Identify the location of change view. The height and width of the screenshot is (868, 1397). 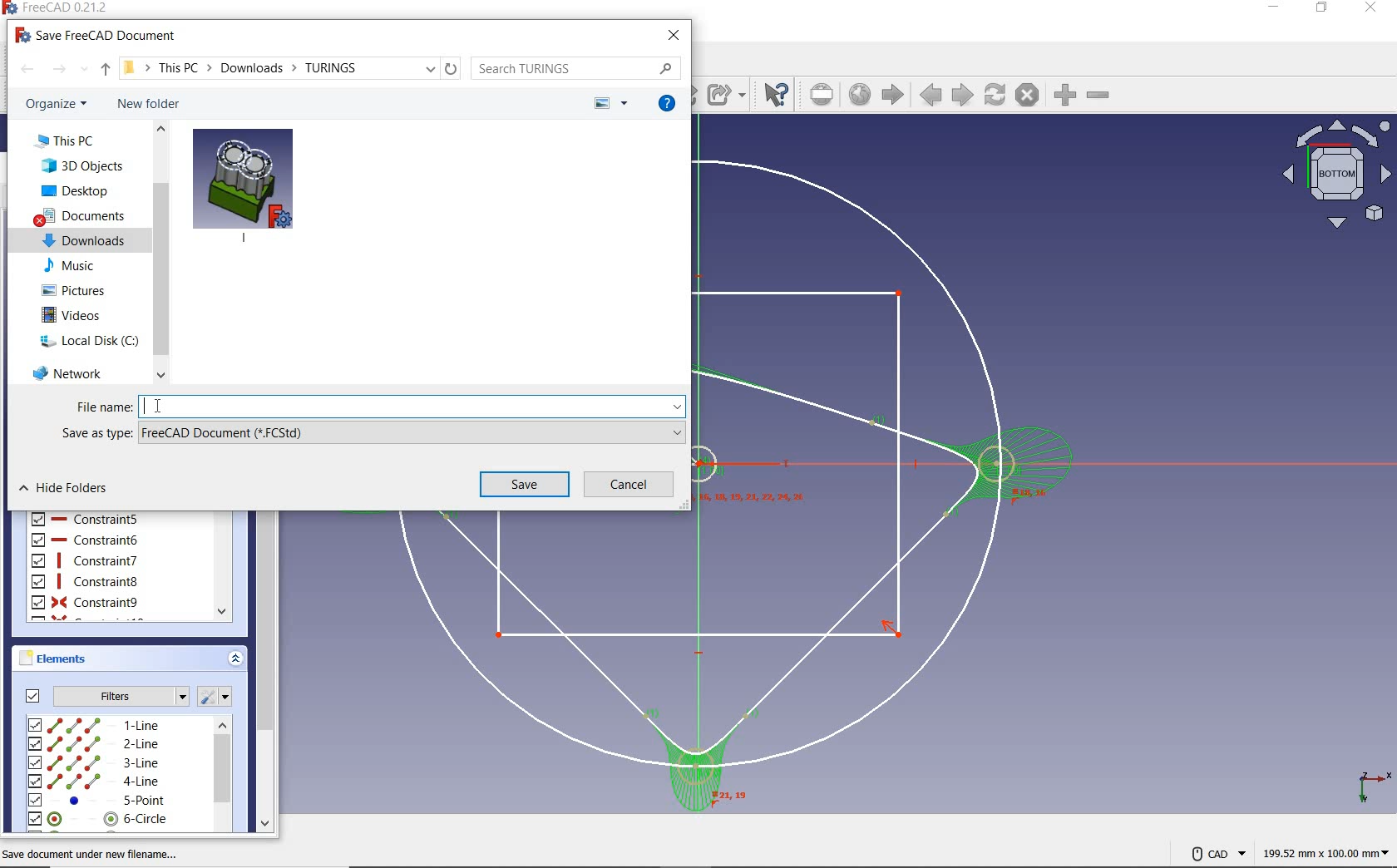
(610, 104).